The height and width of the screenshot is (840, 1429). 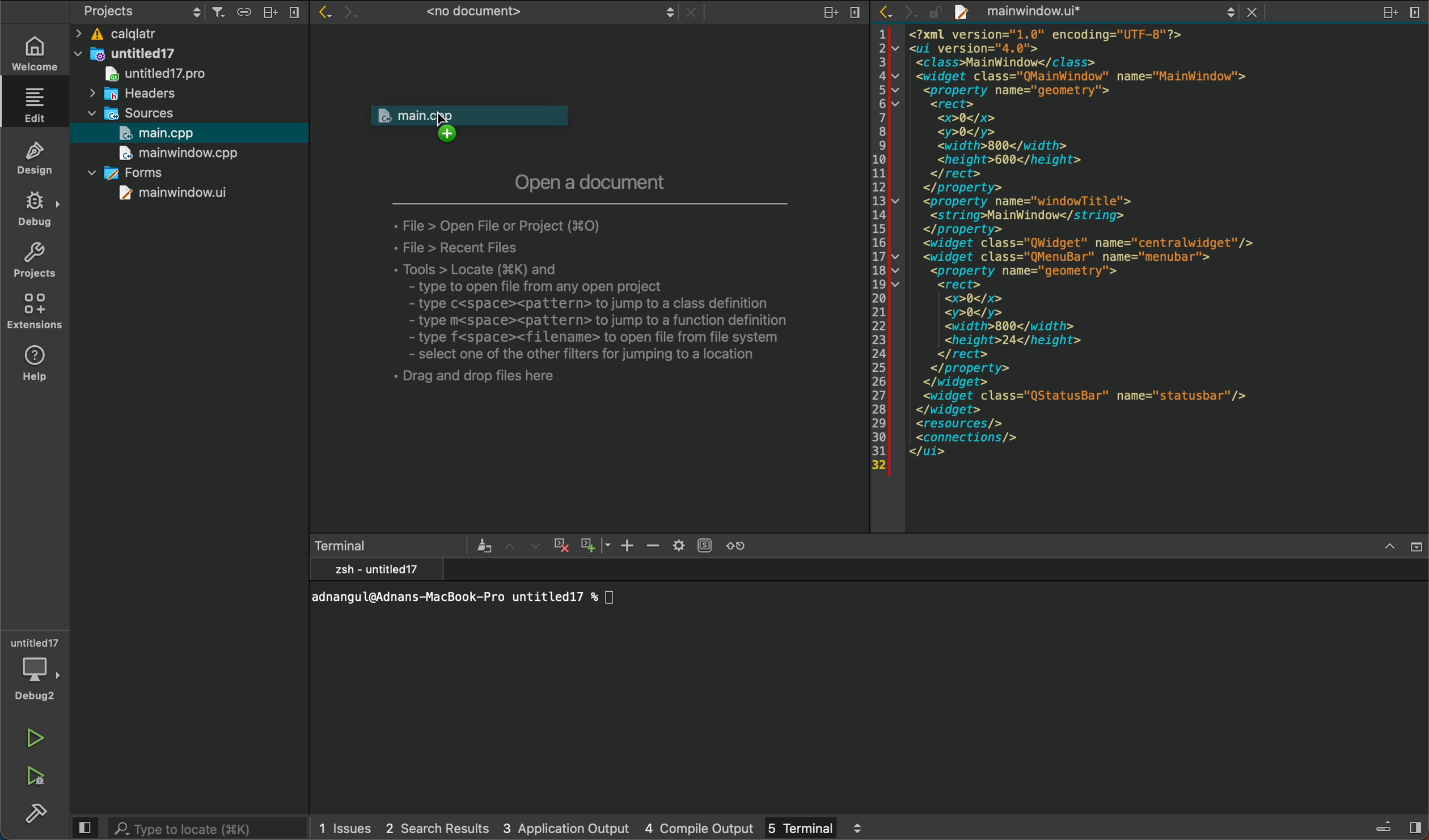 I want to click on projects, so click(x=141, y=13).